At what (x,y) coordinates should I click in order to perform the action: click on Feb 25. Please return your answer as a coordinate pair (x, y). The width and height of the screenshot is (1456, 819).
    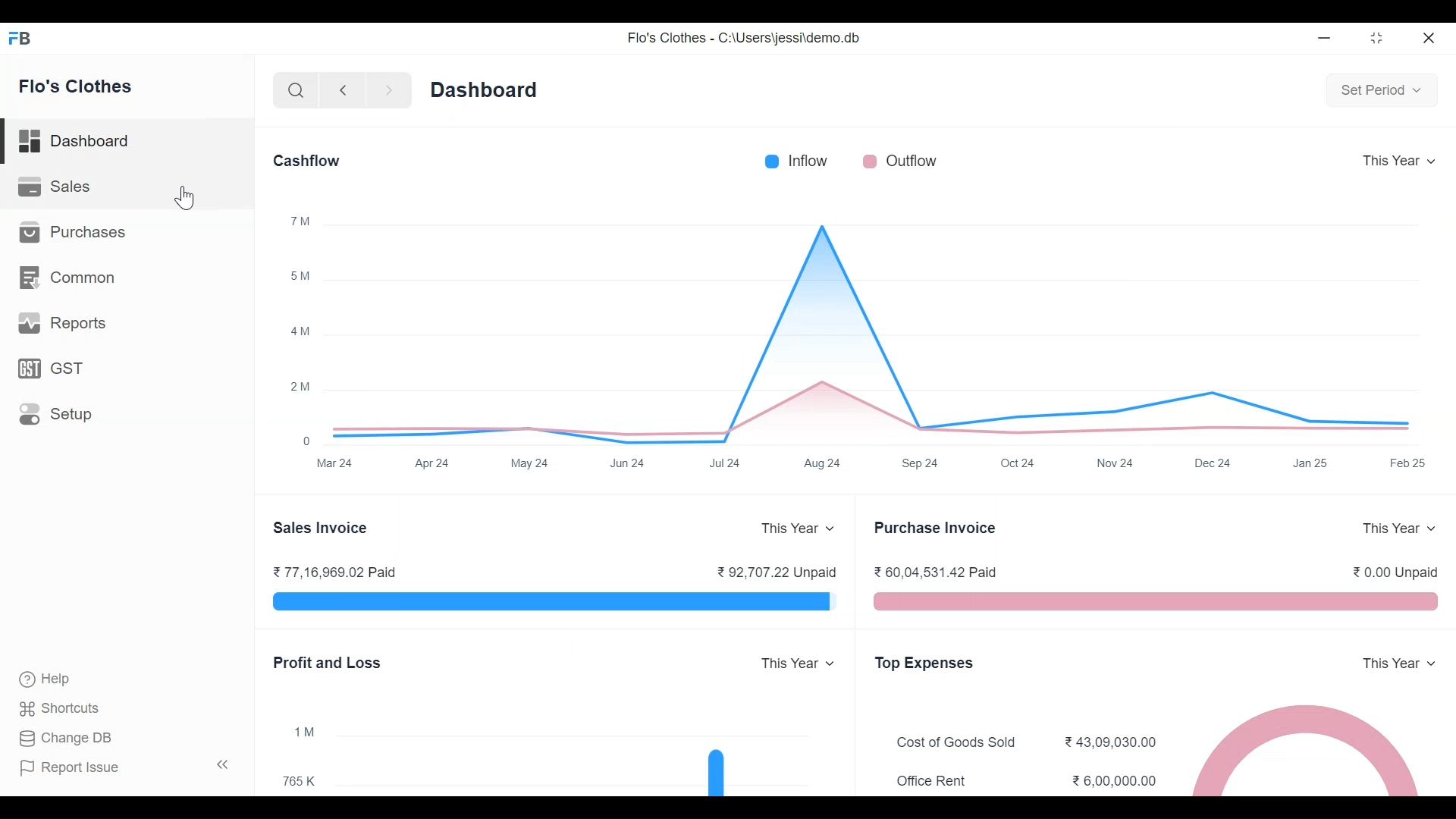
    Looking at the image, I should click on (1406, 463).